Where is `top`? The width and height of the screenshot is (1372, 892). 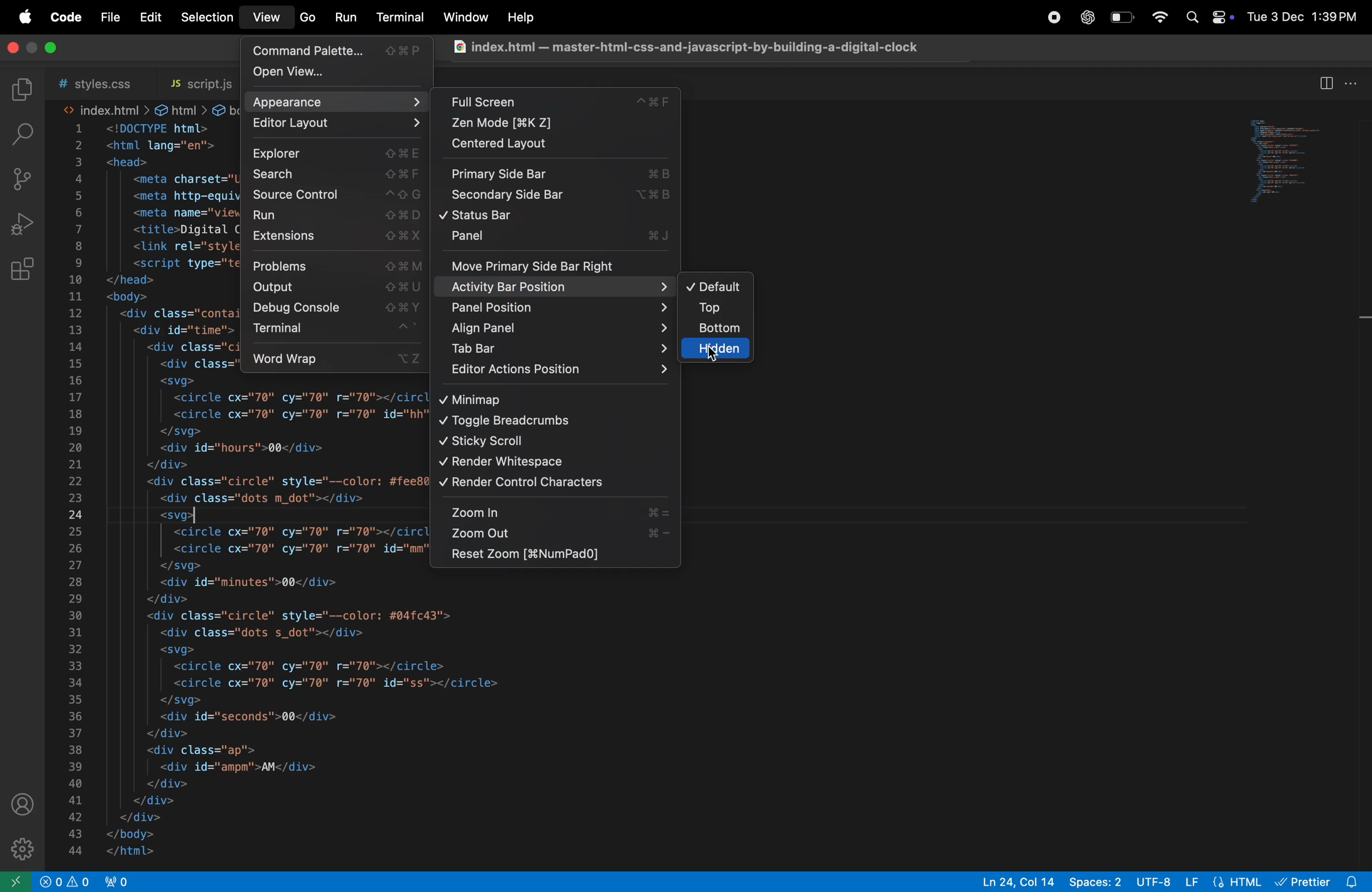
top is located at coordinates (721, 309).